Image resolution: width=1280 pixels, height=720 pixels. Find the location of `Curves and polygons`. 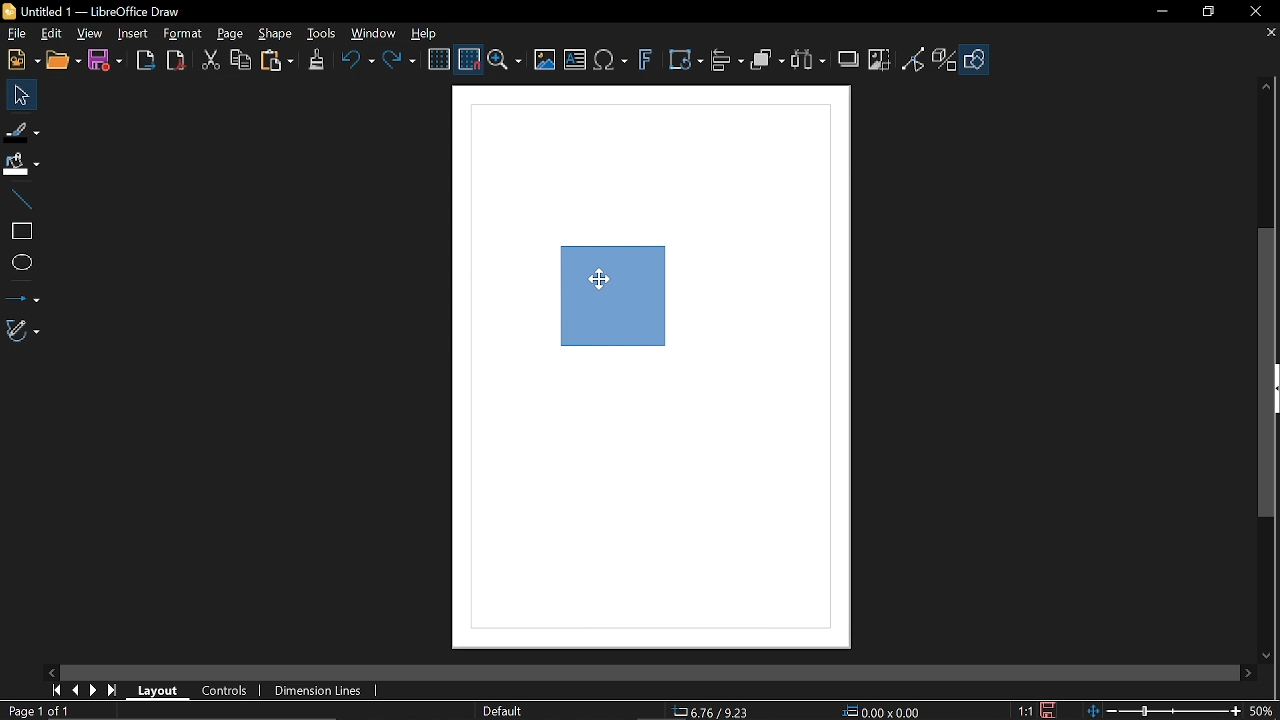

Curves and polygons is located at coordinates (21, 331).